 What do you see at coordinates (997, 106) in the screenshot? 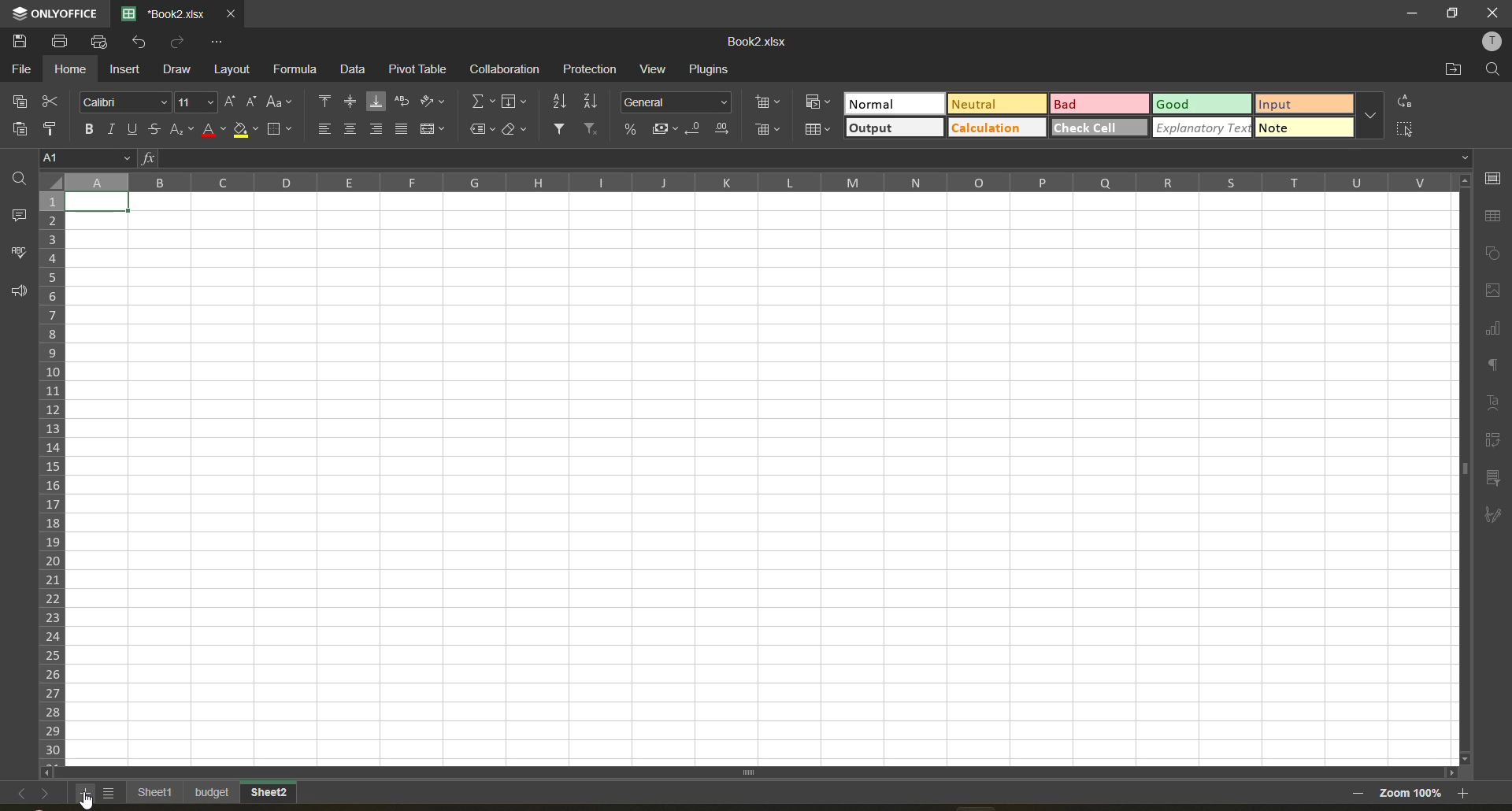
I see `neutral` at bounding box center [997, 106].